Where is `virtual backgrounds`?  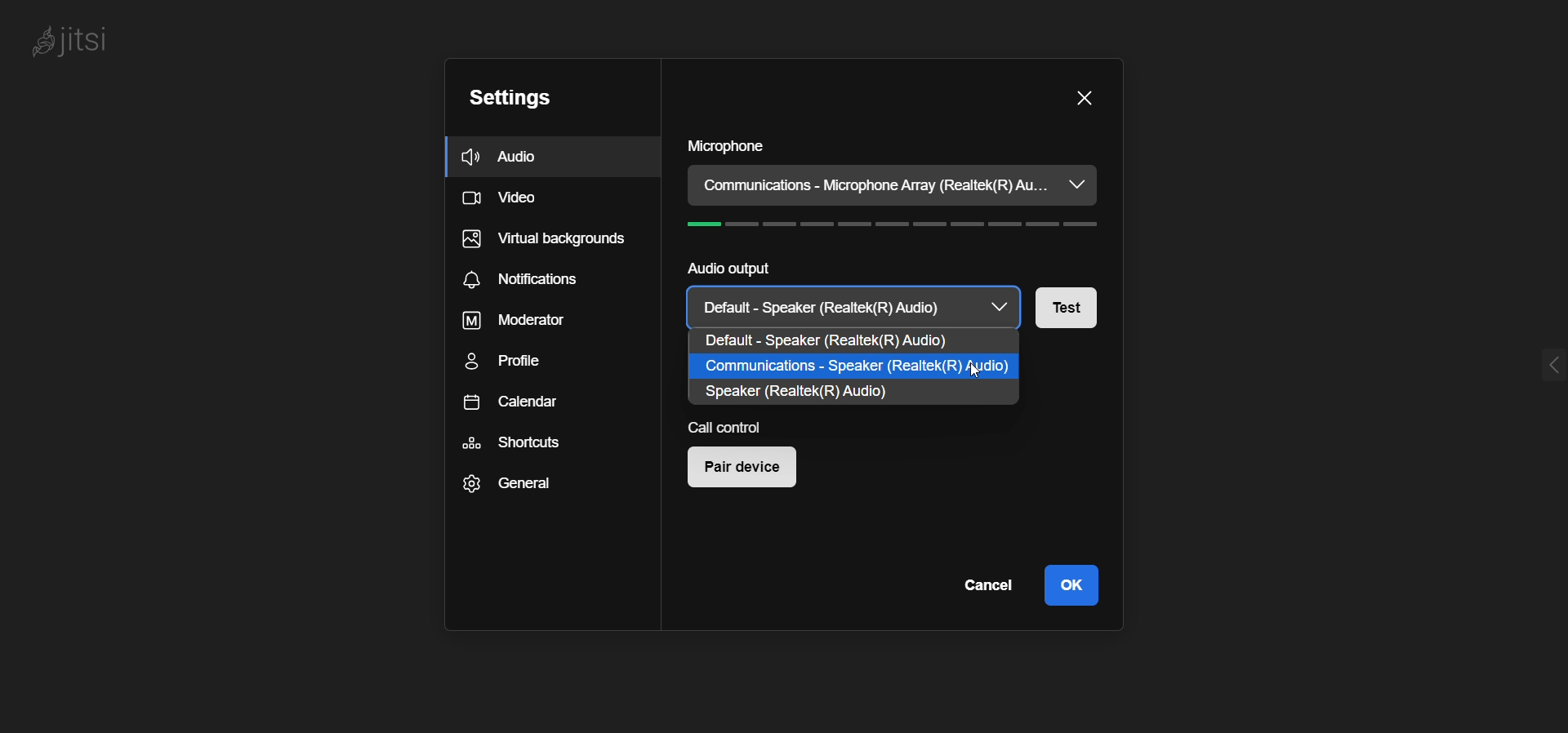 virtual backgrounds is located at coordinates (543, 243).